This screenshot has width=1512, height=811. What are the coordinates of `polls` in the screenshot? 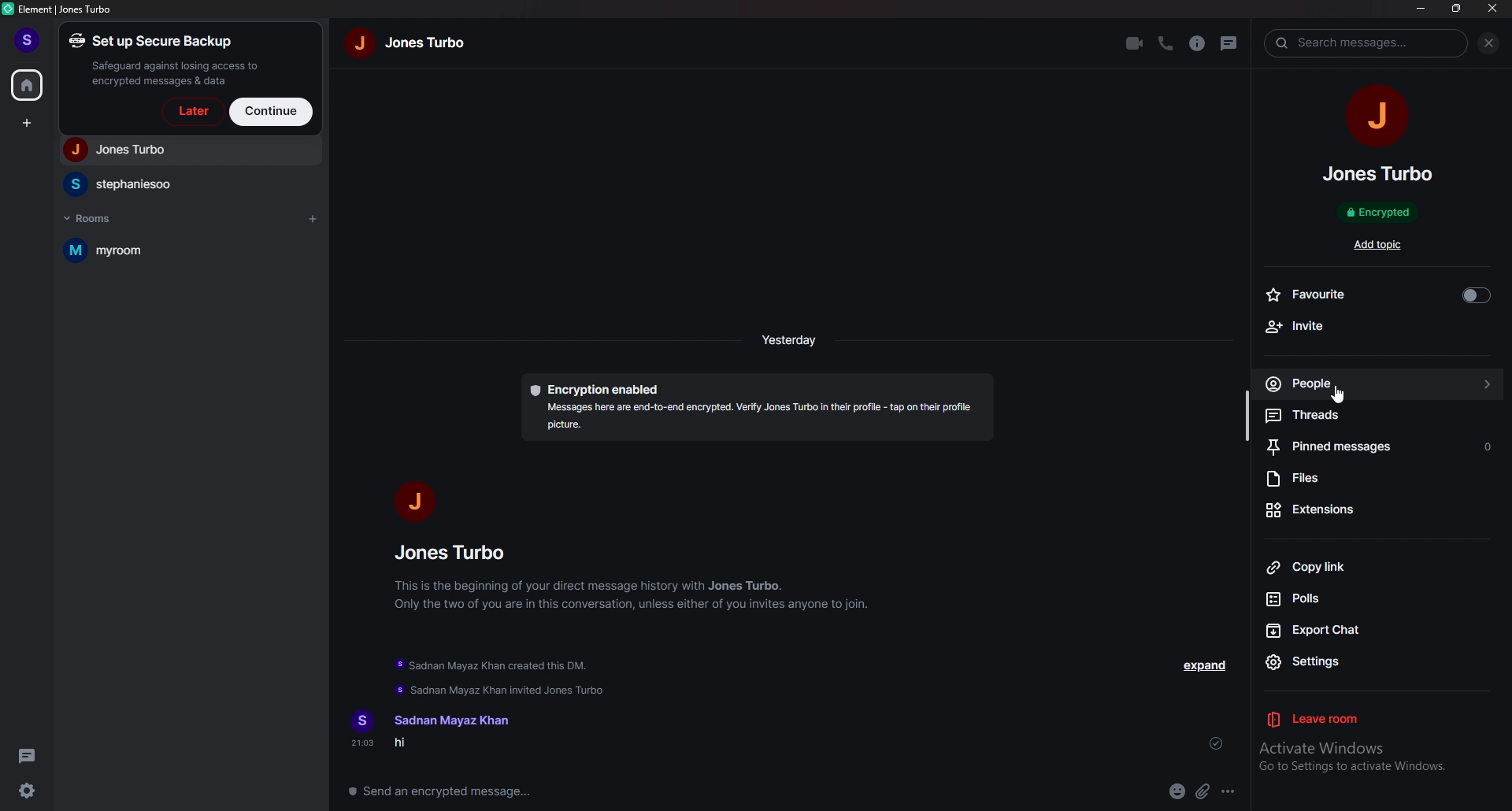 It's located at (1372, 598).